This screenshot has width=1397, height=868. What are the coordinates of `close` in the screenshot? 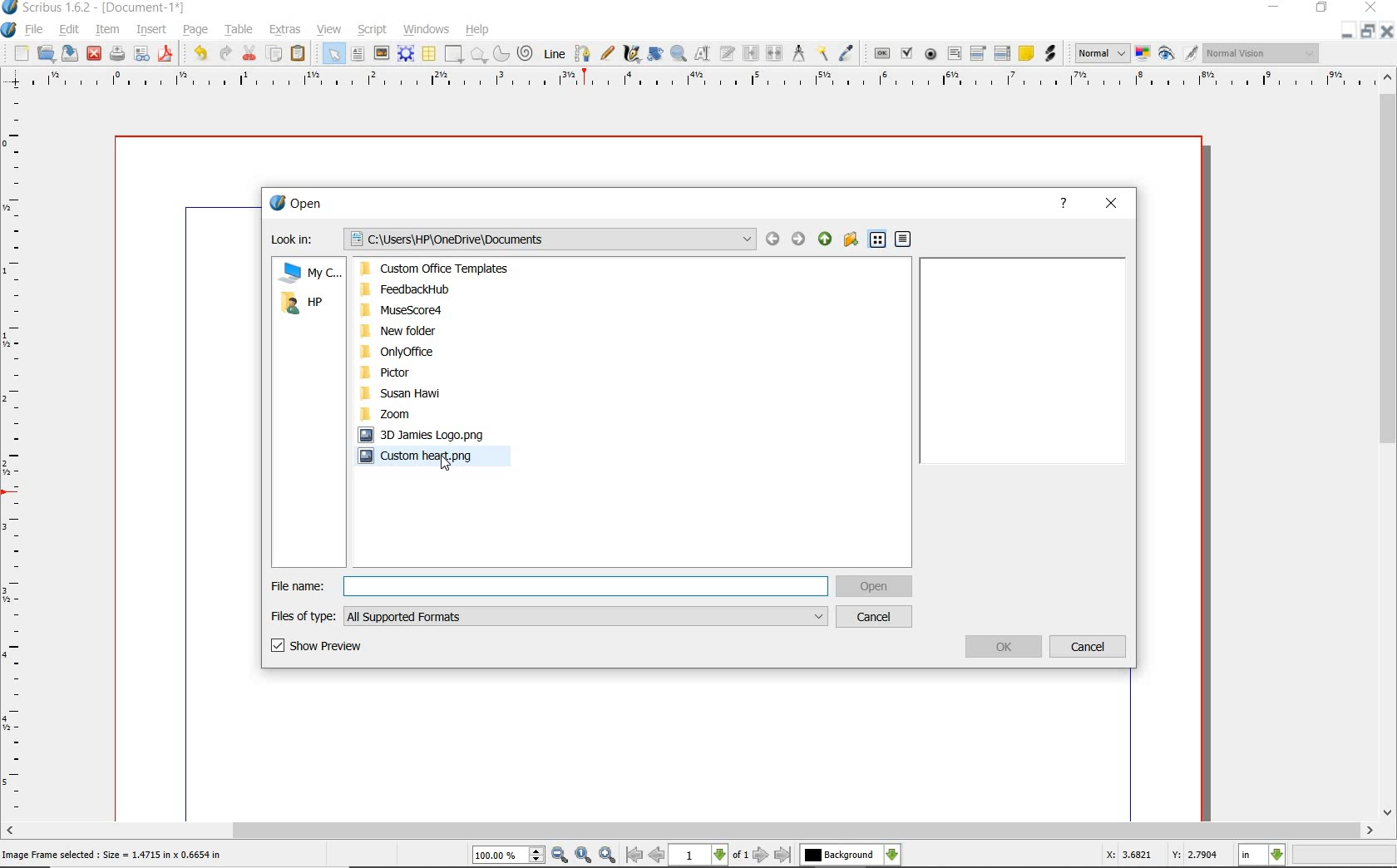 It's located at (1110, 204).